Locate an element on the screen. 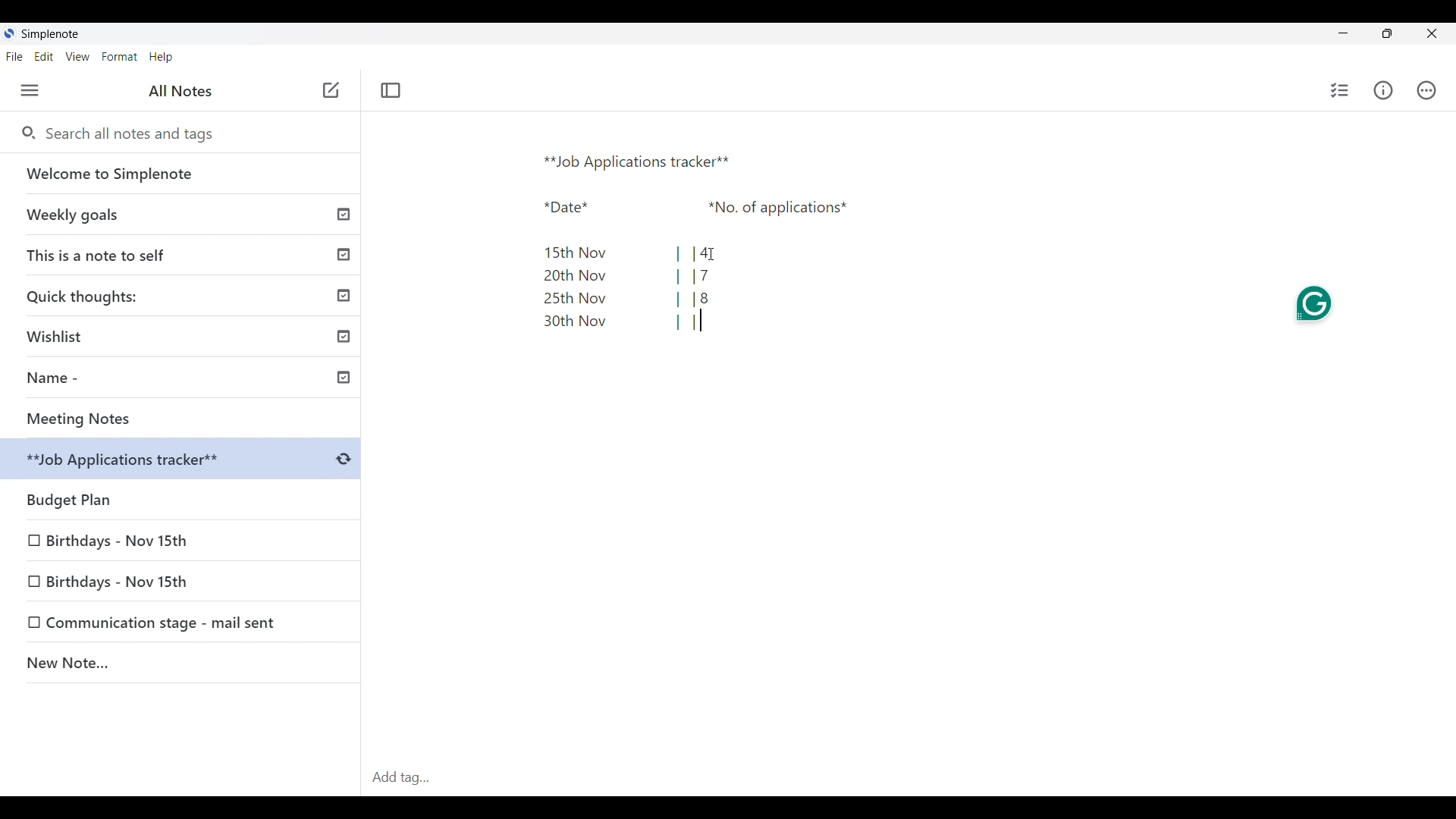 This screenshot has width=1456, height=819. Budget plan is located at coordinates (182, 496).